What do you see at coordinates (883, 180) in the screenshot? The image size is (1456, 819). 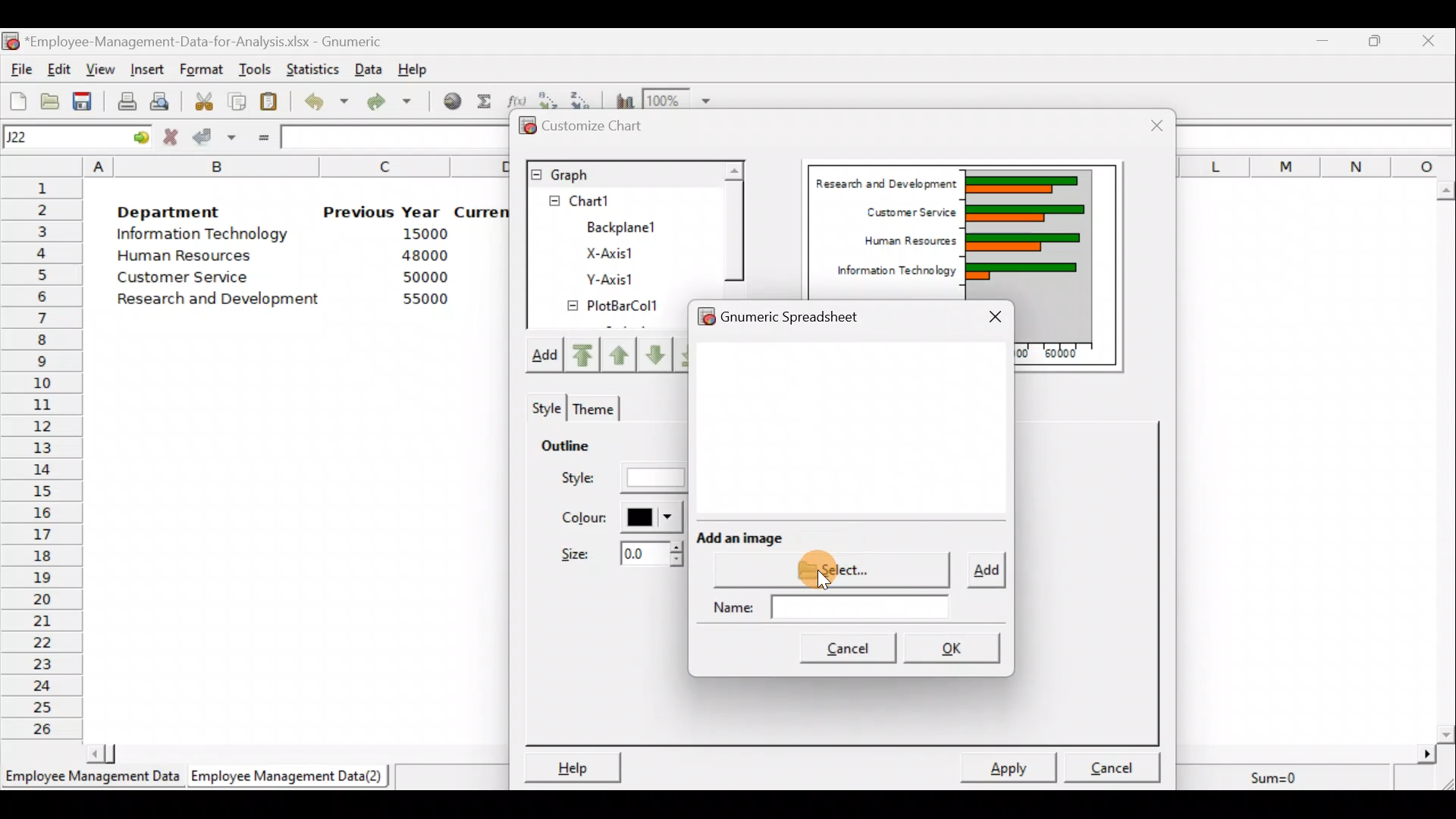 I see `Research and Development` at bounding box center [883, 180].